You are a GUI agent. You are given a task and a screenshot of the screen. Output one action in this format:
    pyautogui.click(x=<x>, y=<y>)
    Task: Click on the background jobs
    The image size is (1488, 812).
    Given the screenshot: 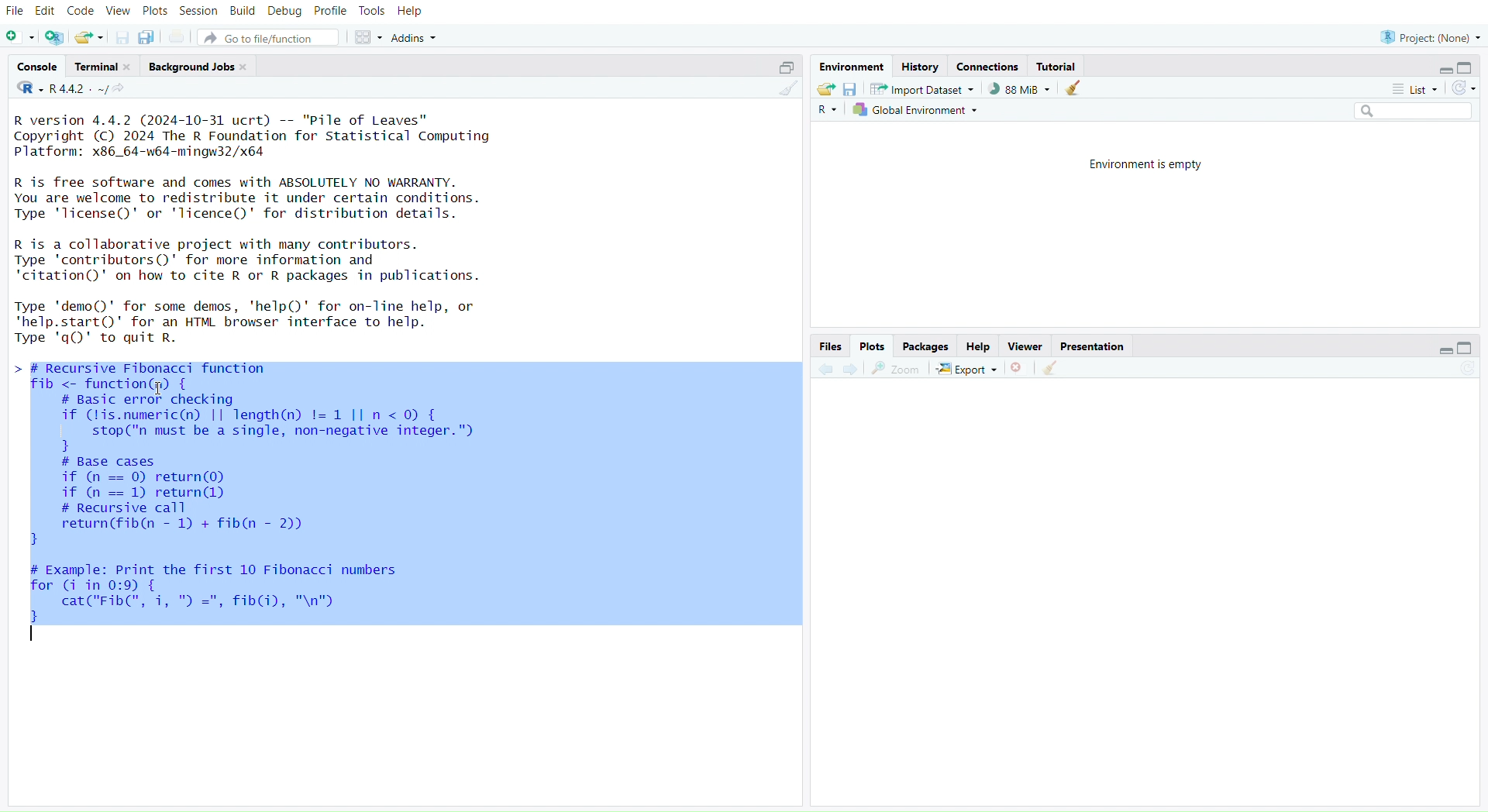 What is the action you would take?
    pyautogui.click(x=199, y=68)
    